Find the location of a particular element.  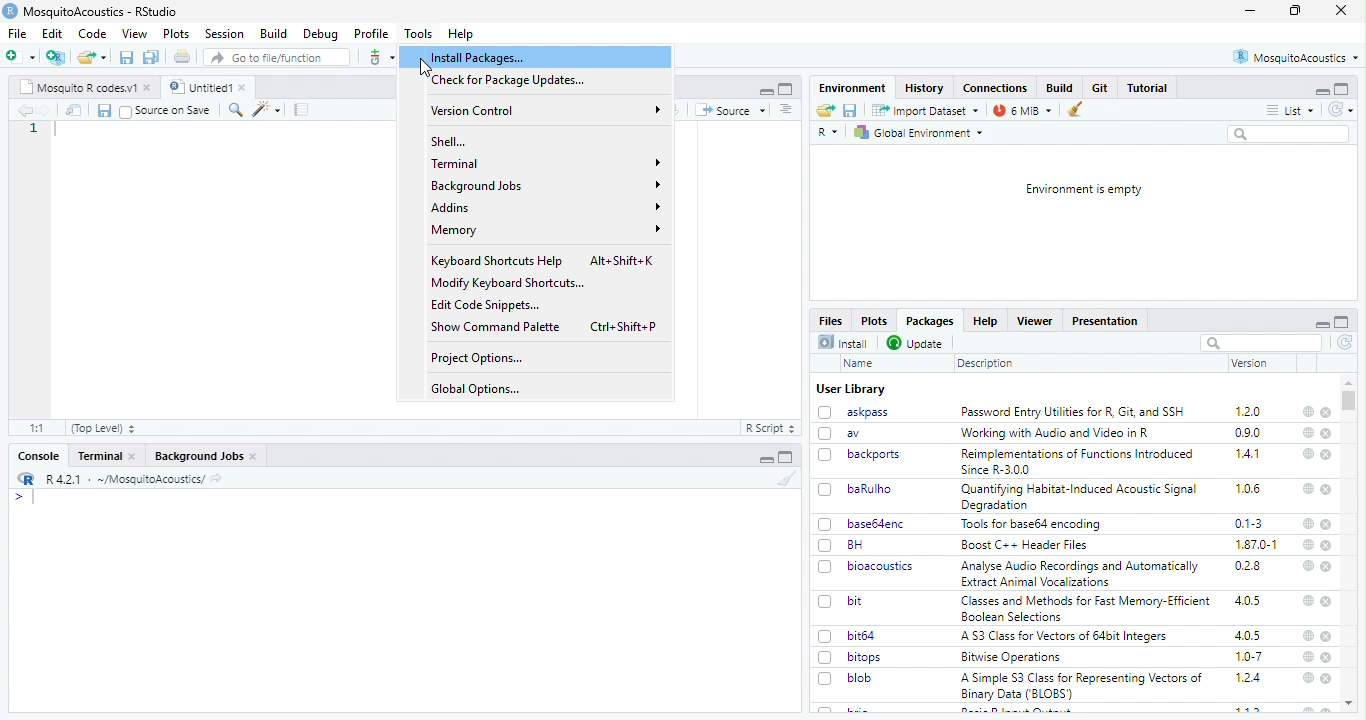

close is located at coordinates (1328, 413).